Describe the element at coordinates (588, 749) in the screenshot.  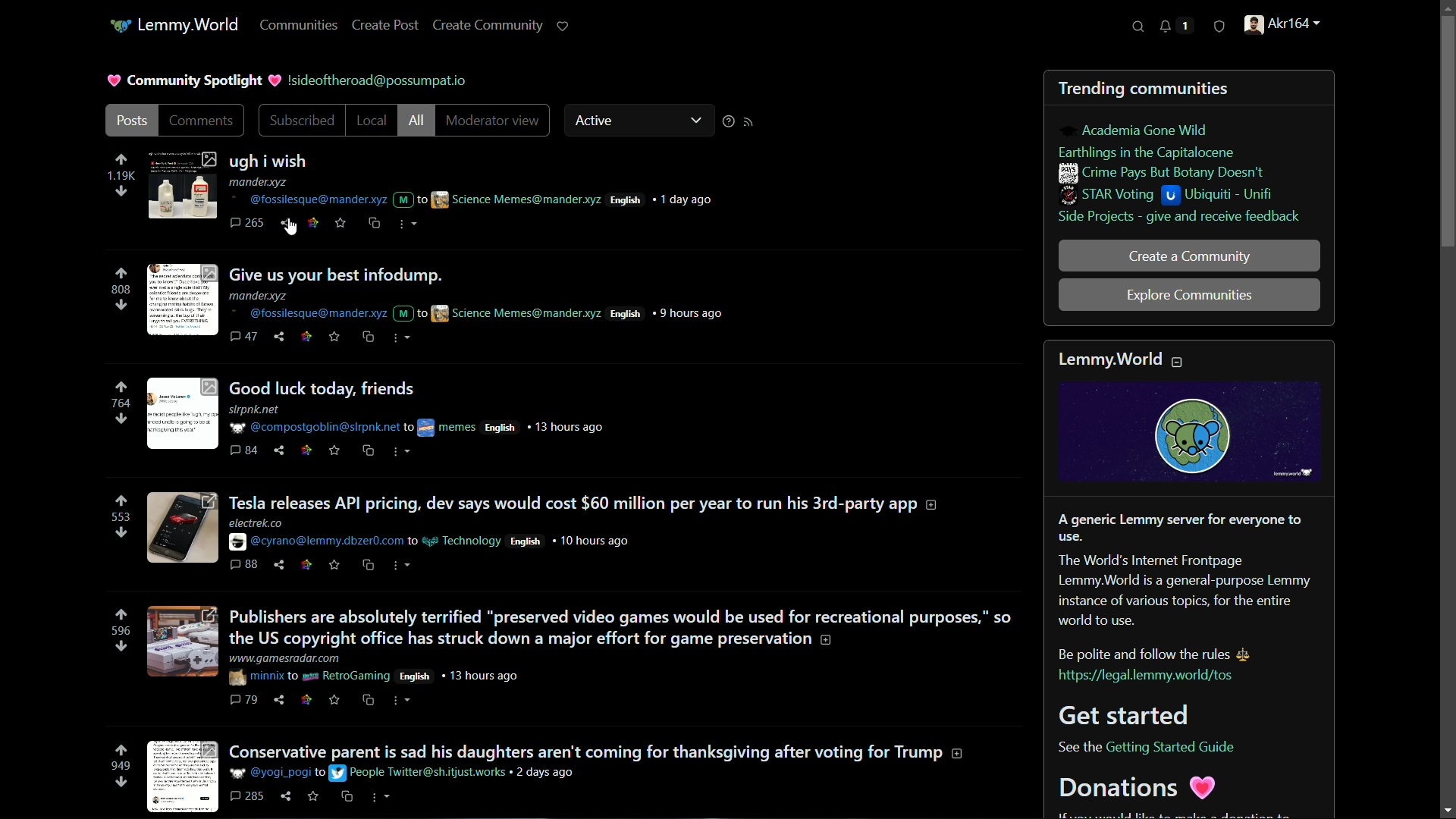
I see `Conservative parent is sad his daughters aren't coming for thanksgiving after voting for Trump` at that location.